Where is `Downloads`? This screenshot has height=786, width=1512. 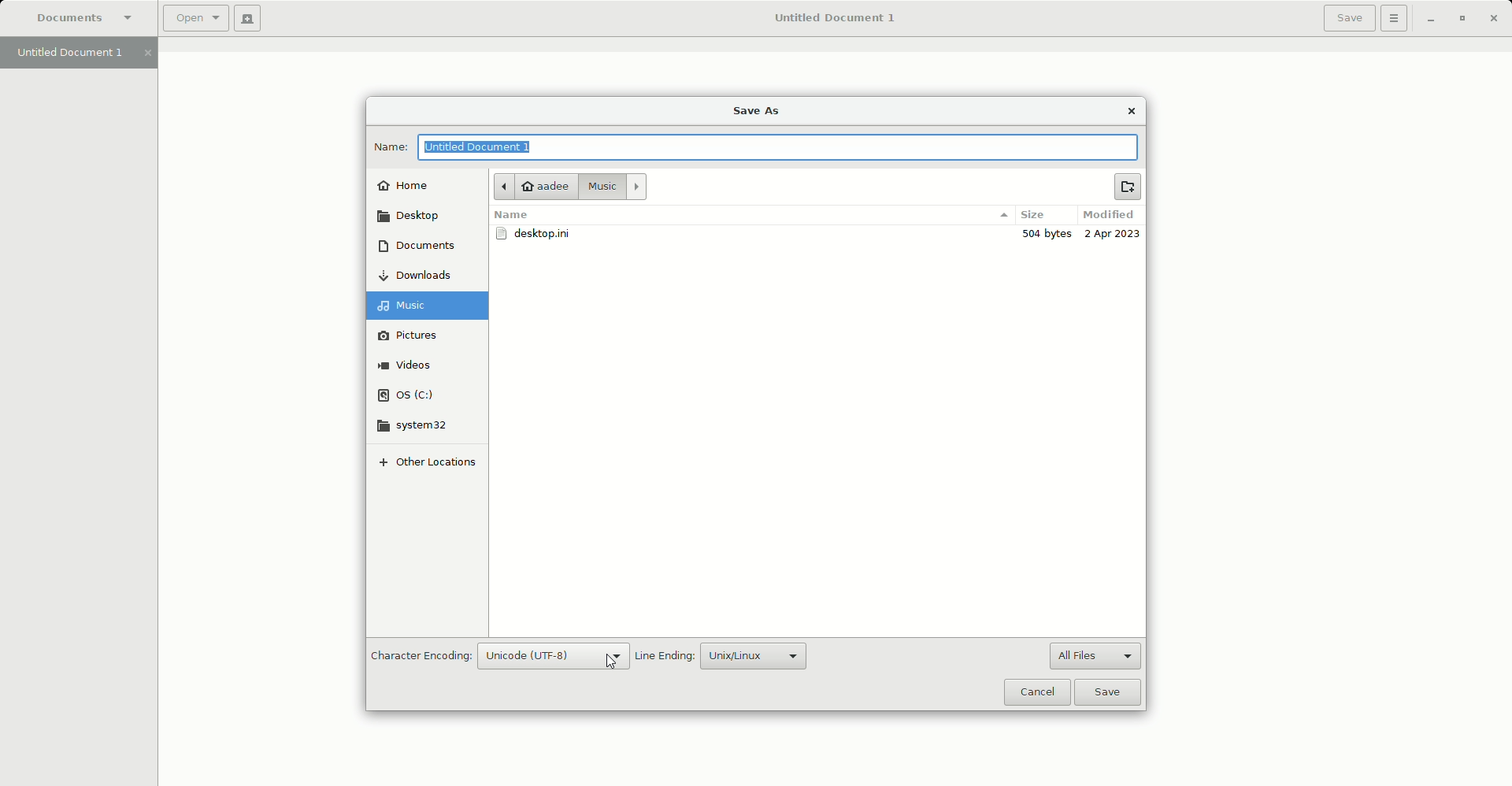
Downloads is located at coordinates (422, 276).